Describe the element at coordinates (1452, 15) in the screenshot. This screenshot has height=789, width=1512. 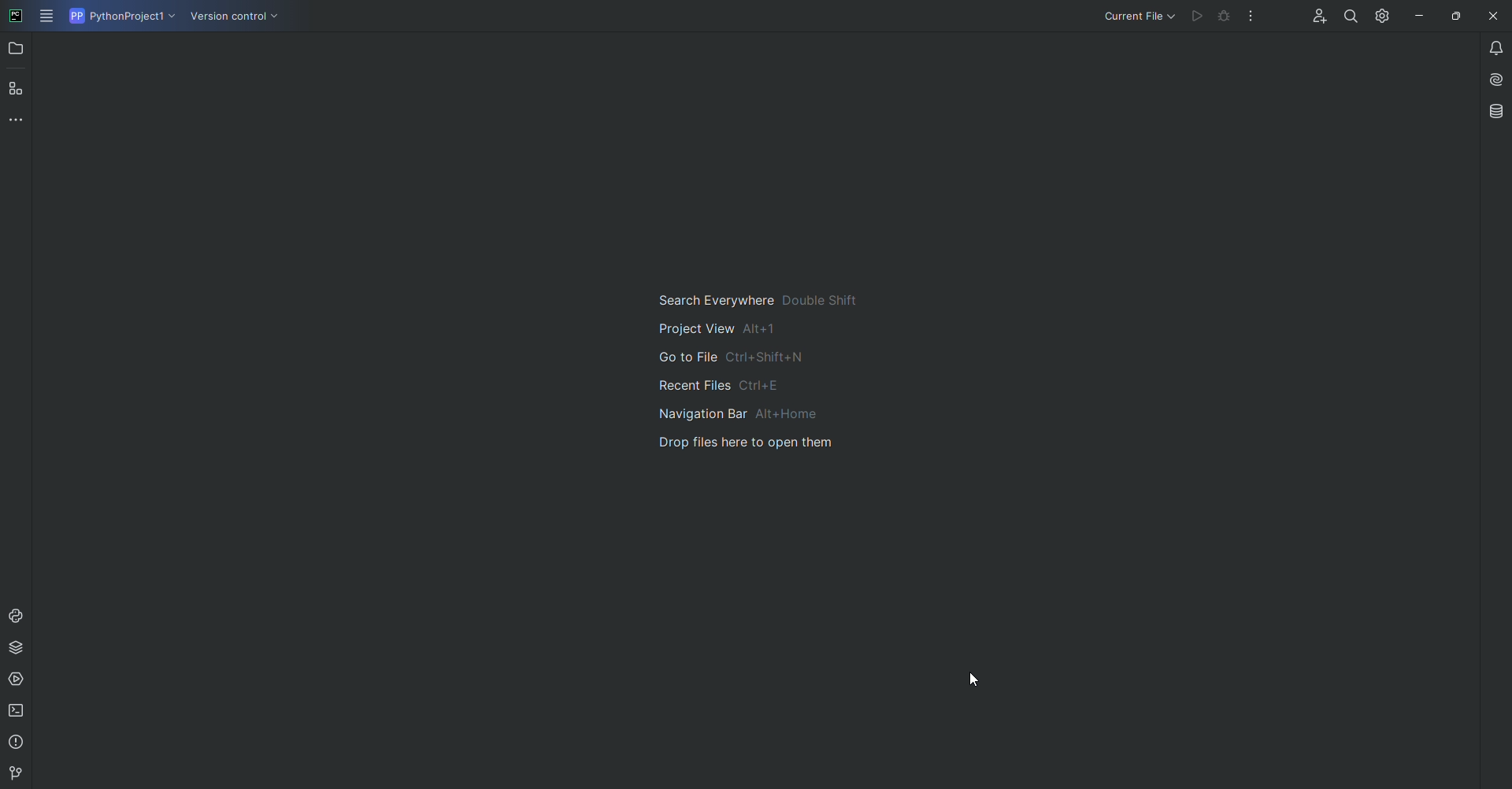
I see `Restore` at that location.